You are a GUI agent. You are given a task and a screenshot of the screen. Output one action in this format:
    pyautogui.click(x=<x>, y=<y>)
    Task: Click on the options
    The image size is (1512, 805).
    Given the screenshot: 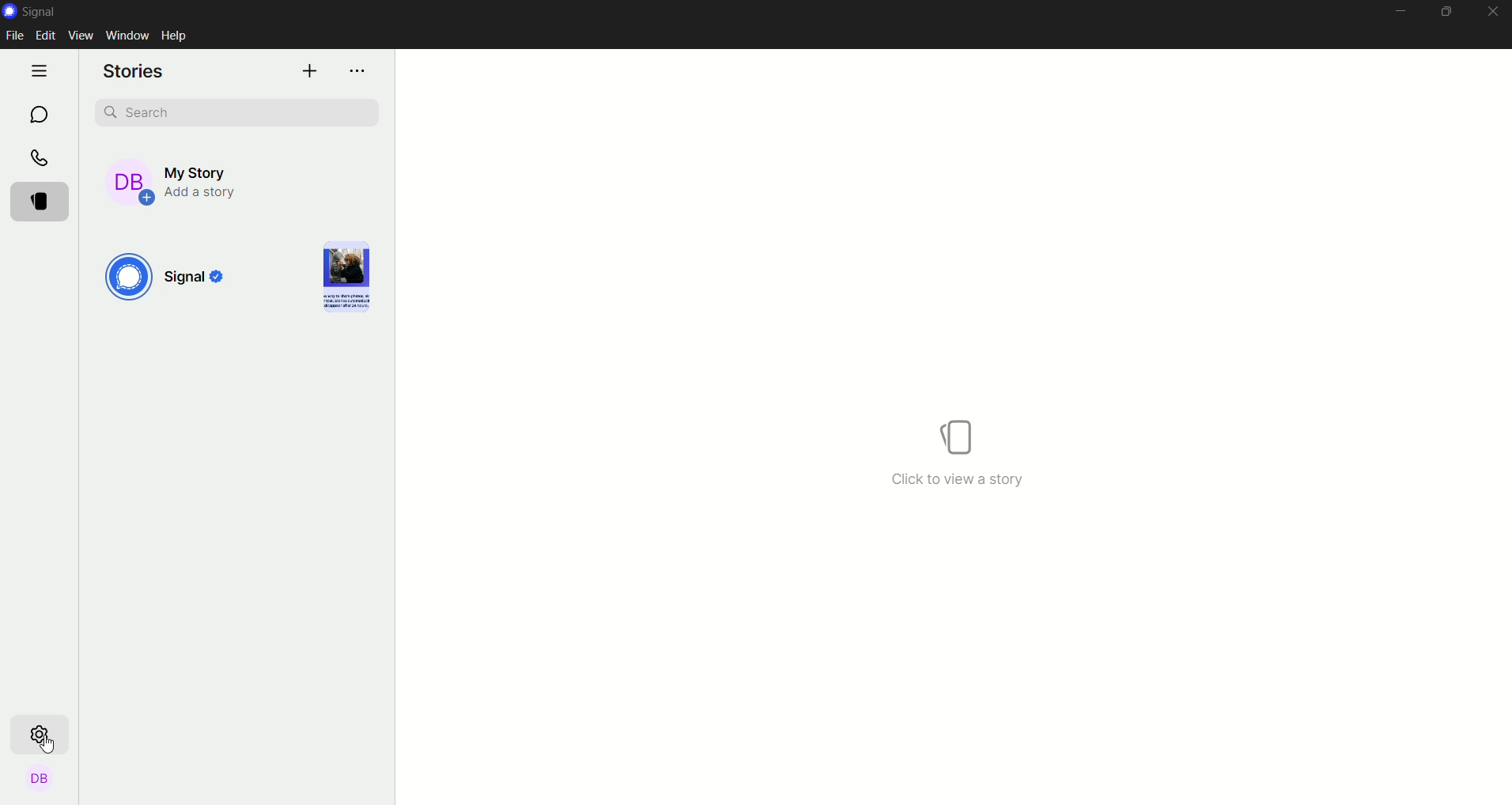 What is the action you would take?
    pyautogui.click(x=360, y=72)
    